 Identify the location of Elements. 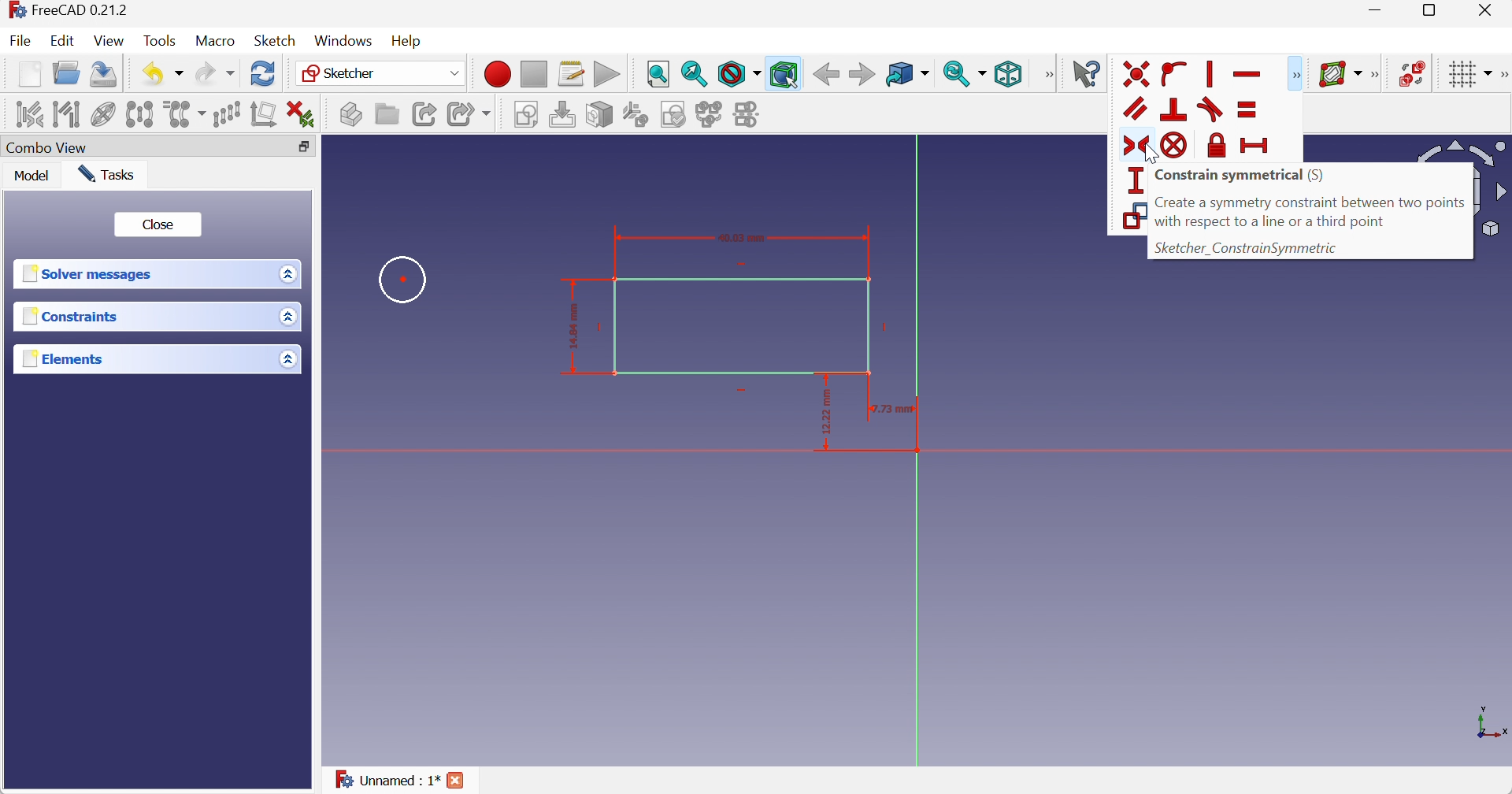
(69, 358).